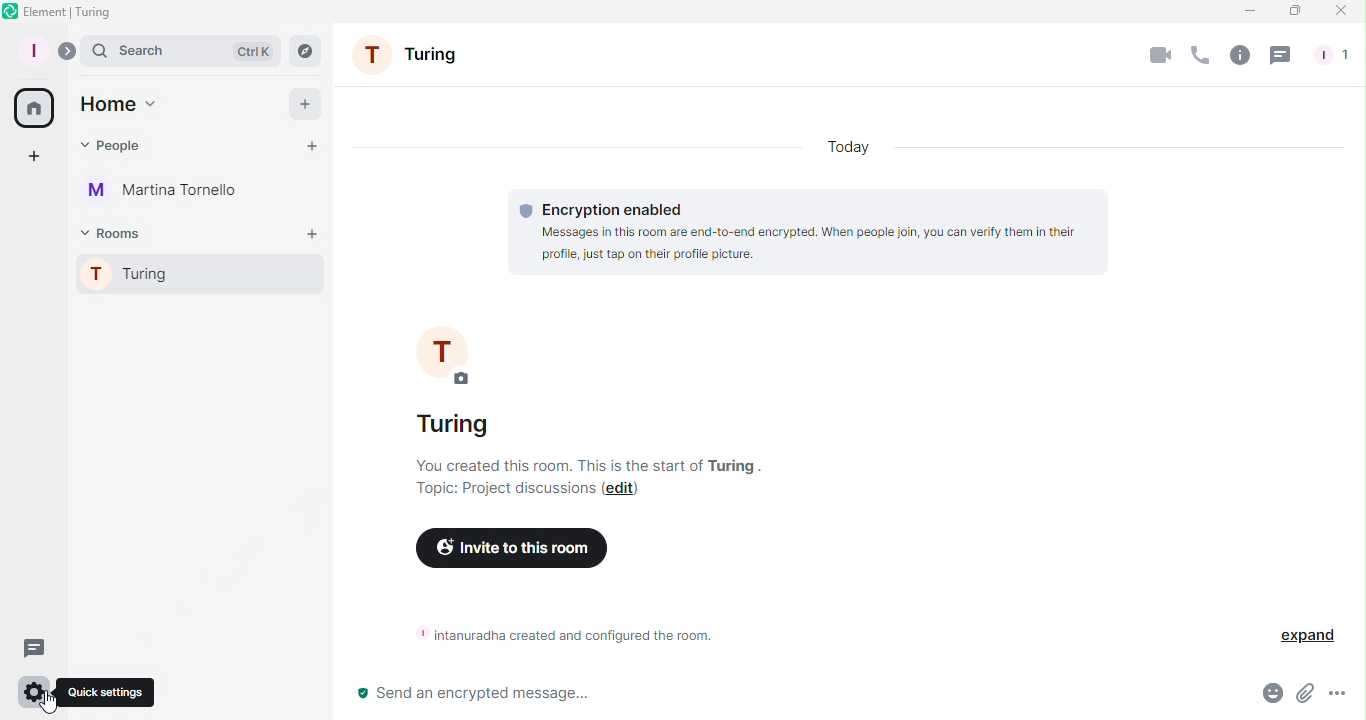 The width and height of the screenshot is (1366, 720). What do you see at coordinates (624, 492) in the screenshot?
I see `Edit` at bounding box center [624, 492].